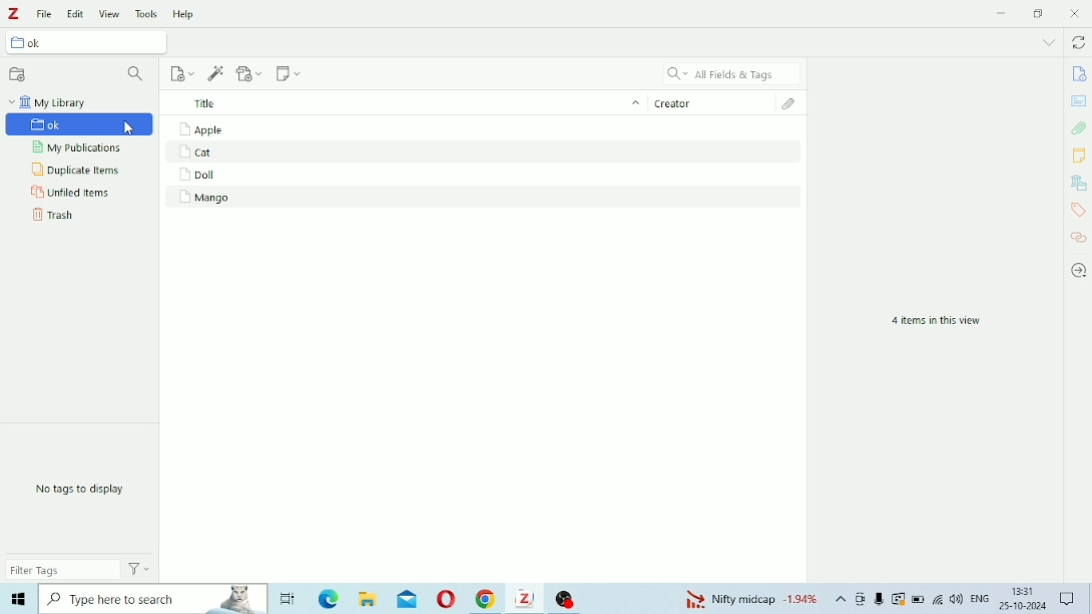 Image resolution: width=1092 pixels, height=614 pixels. Describe the element at coordinates (197, 175) in the screenshot. I see `Doll` at that location.